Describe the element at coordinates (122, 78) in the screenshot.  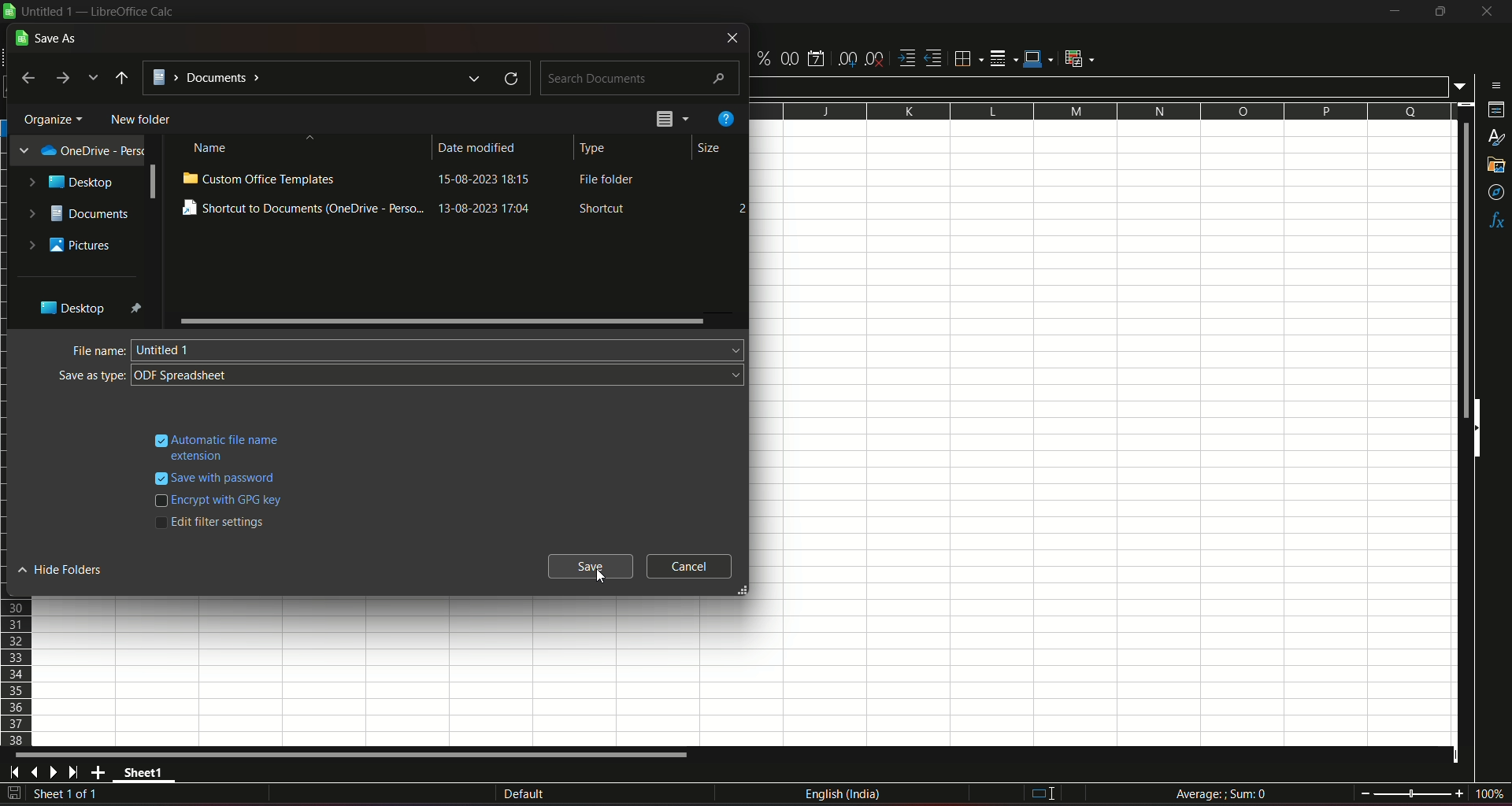
I see `directory path` at that location.